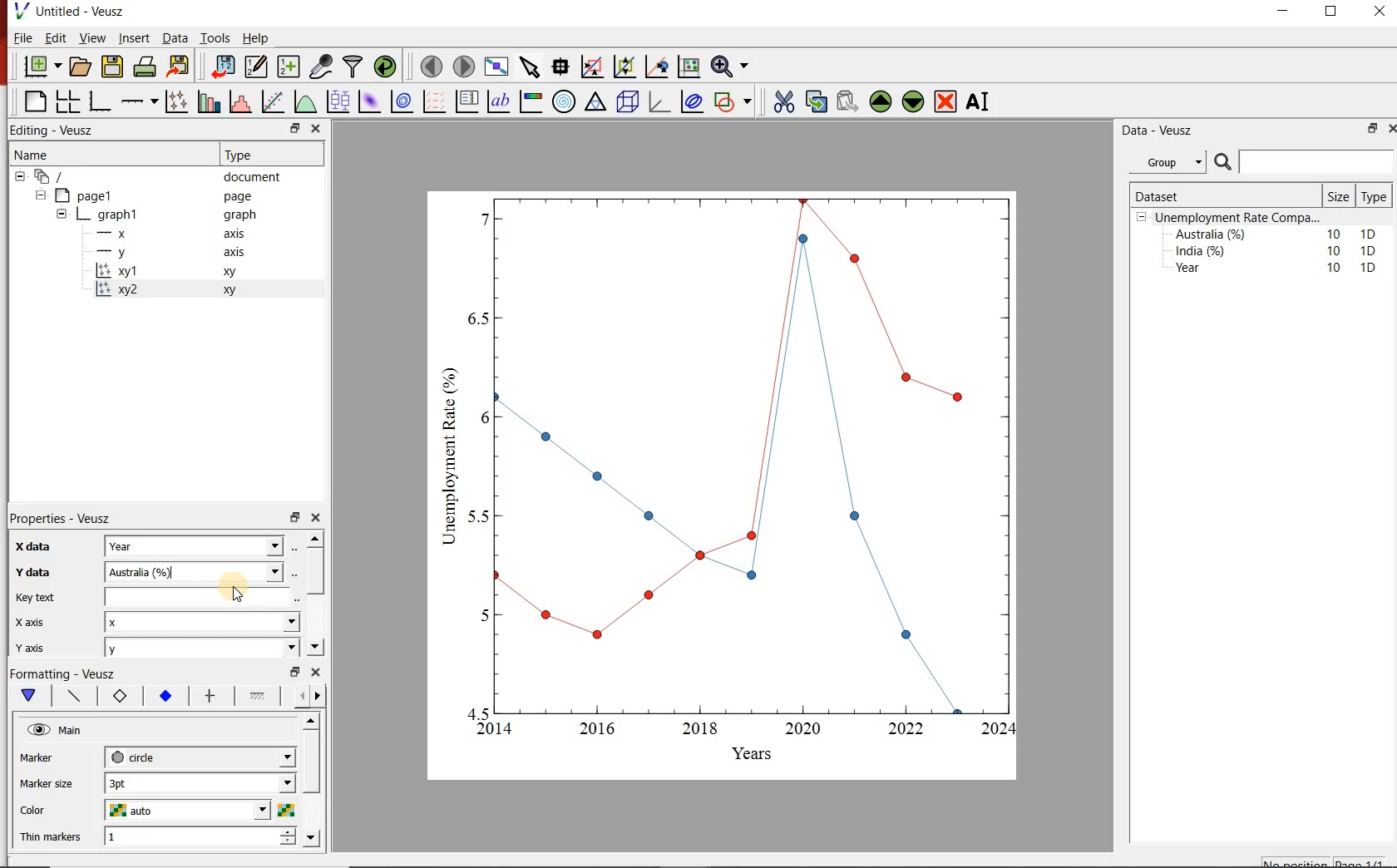  I want to click on move up, so click(315, 538).